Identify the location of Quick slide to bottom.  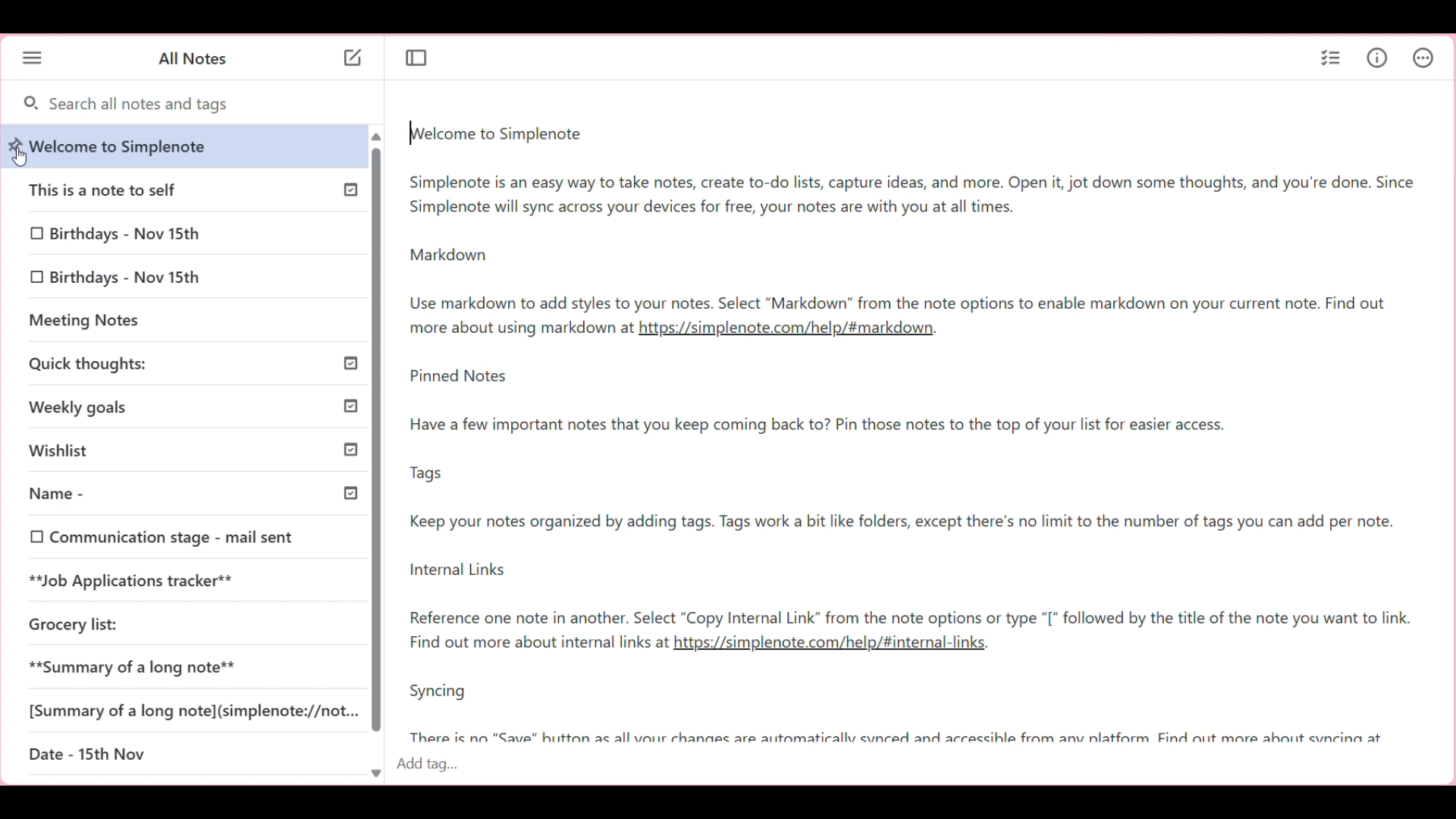
(375, 773).